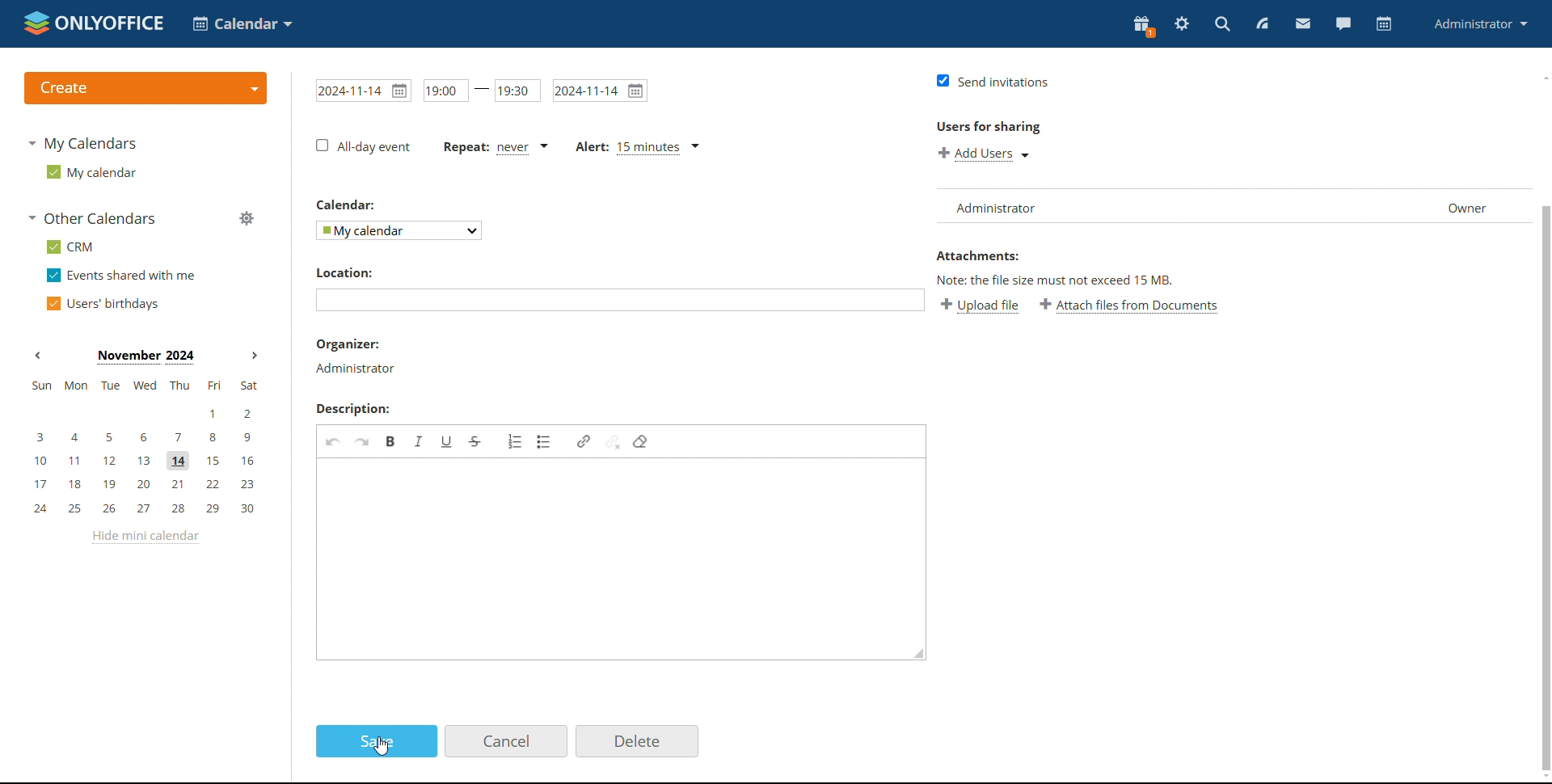 The width and height of the screenshot is (1552, 784). I want to click on feed, so click(1263, 23).